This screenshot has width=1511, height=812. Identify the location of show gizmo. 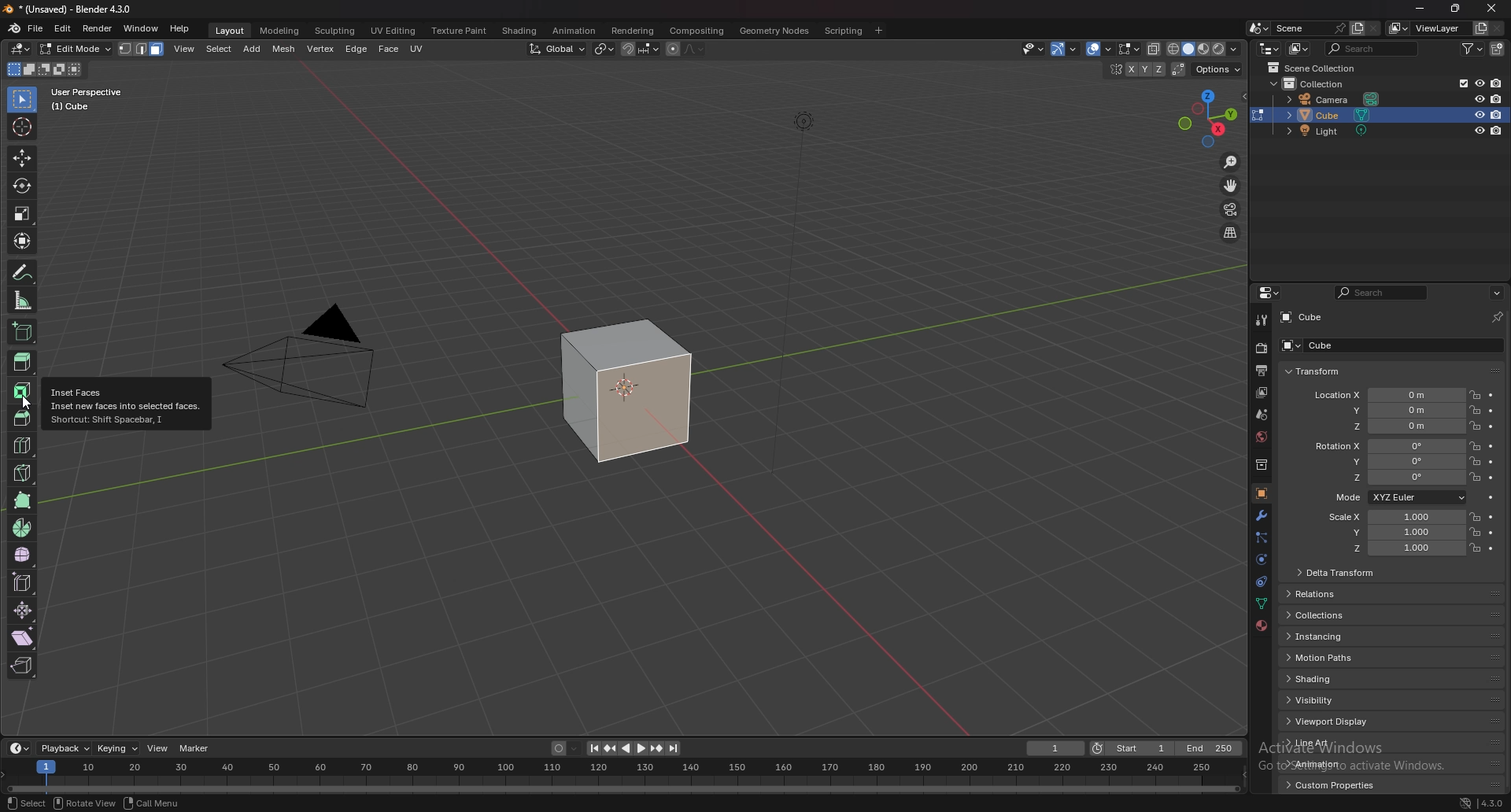
(1063, 49).